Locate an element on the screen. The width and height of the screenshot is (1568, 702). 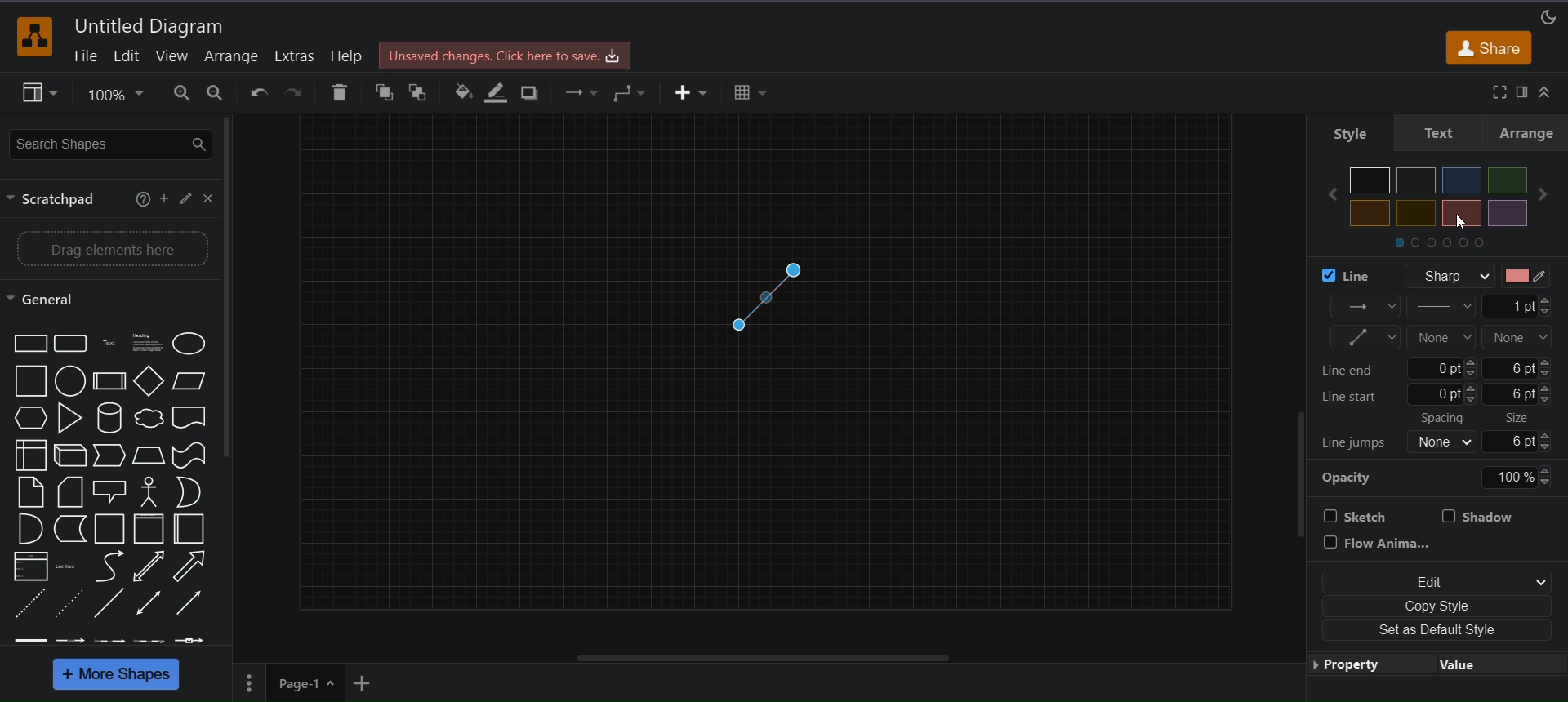
drag elements here is located at coordinates (114, 249).